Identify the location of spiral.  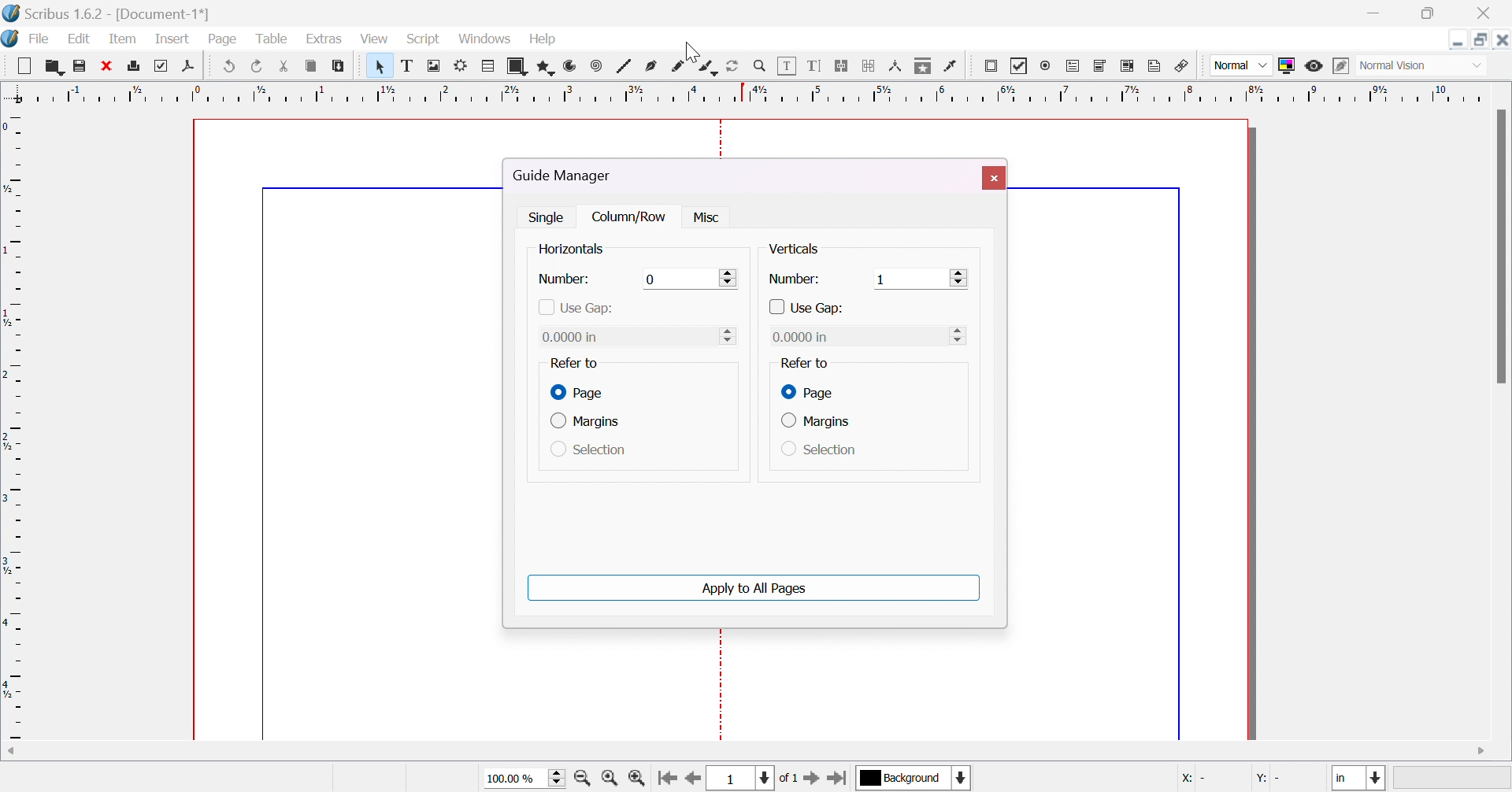
(596, 65).